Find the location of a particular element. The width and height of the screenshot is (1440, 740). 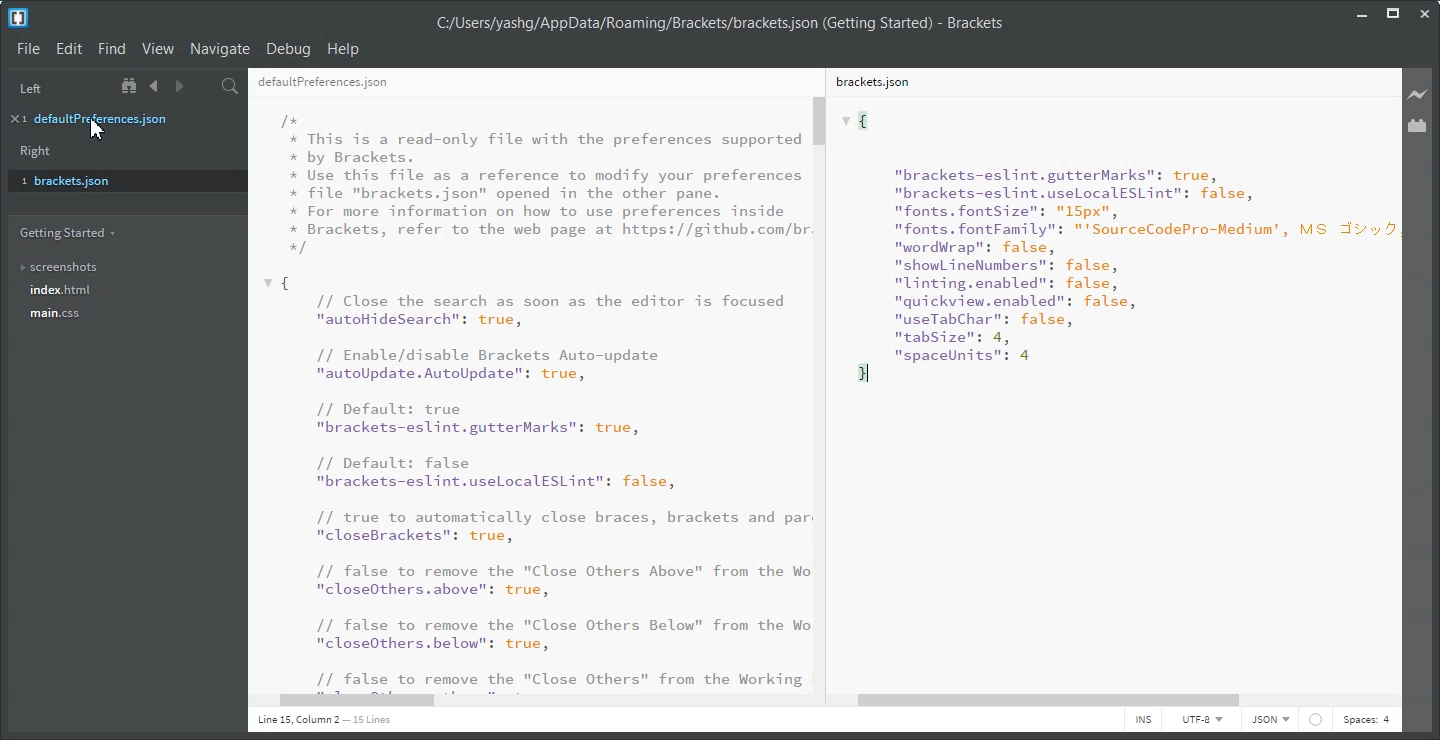

brackets.json File is located at coordinates (1103, 81).